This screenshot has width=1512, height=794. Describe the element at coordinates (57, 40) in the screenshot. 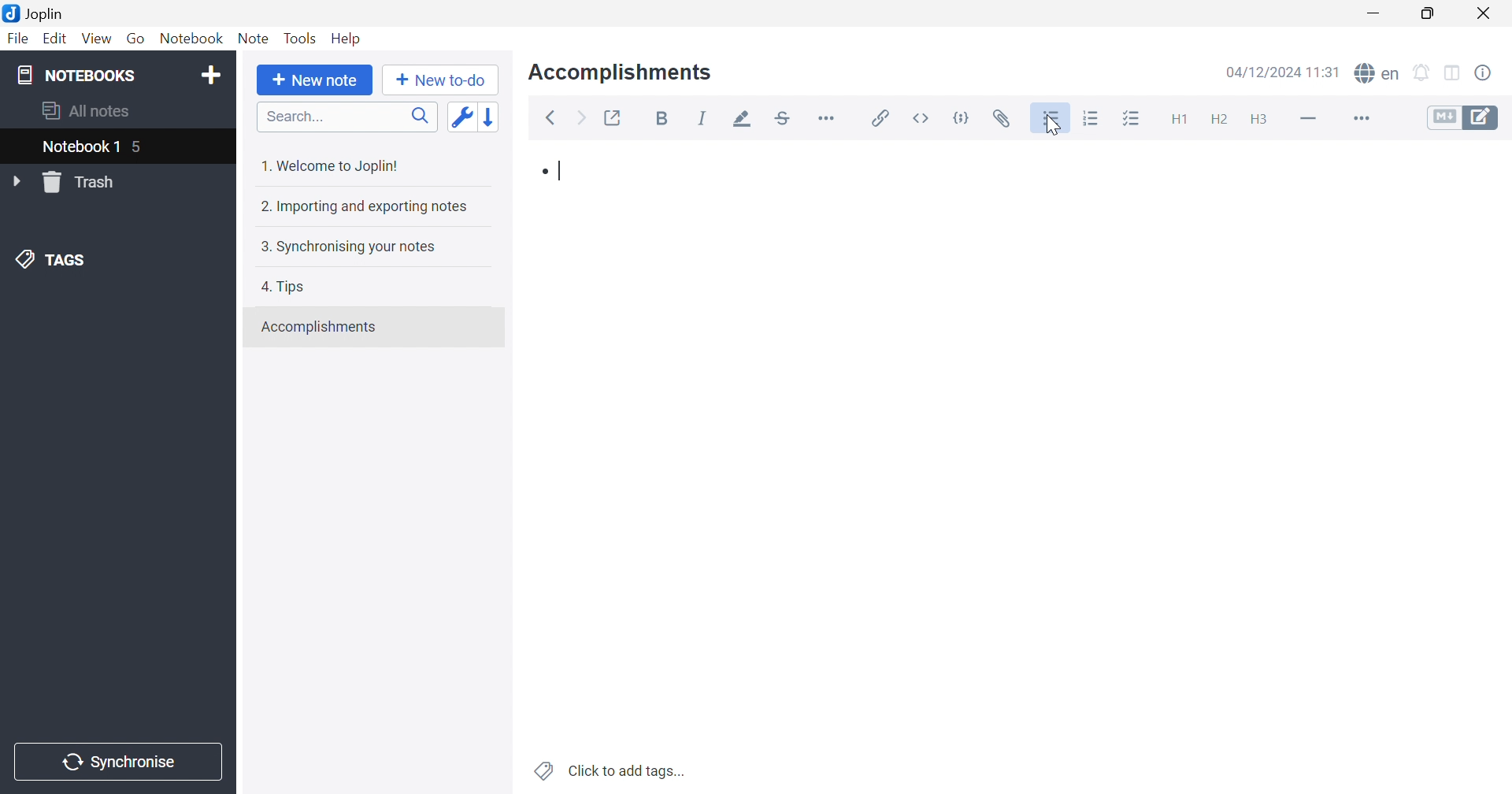

I see `Edit` at that location.